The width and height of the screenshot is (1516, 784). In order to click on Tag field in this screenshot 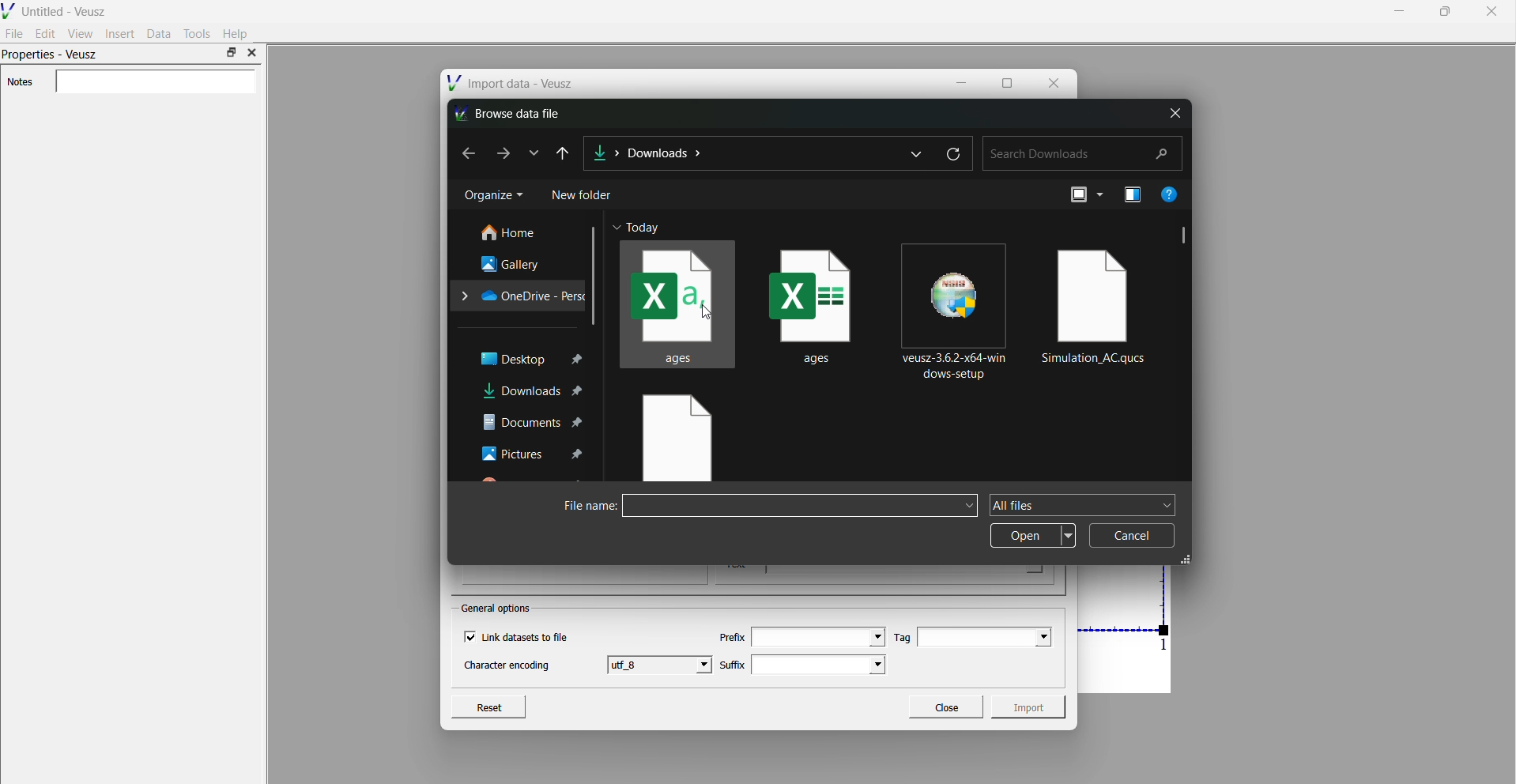, I will do `click(985, 637)`.